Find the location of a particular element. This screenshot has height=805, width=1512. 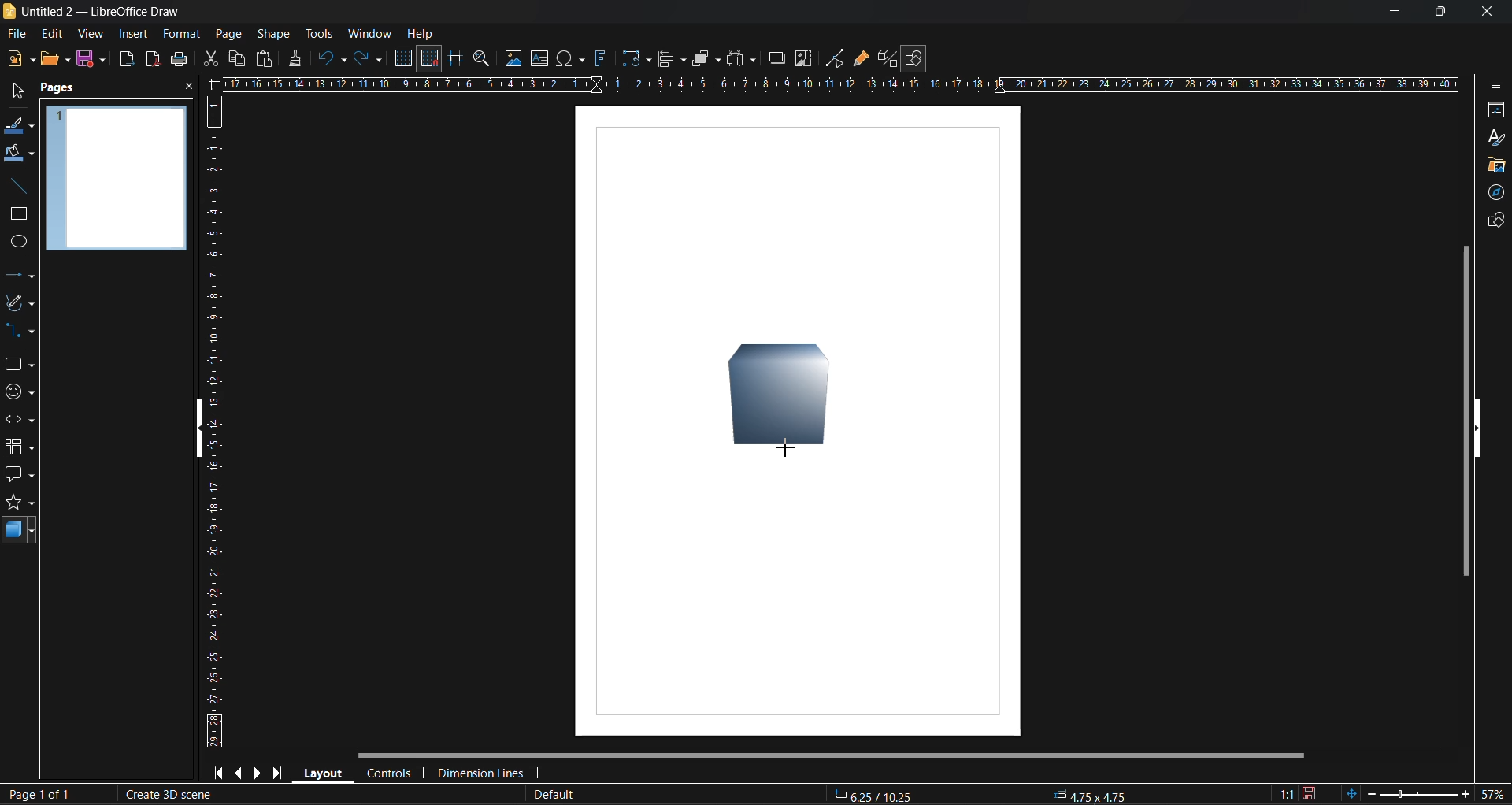

coordinates is located at coordinates (988, 794).